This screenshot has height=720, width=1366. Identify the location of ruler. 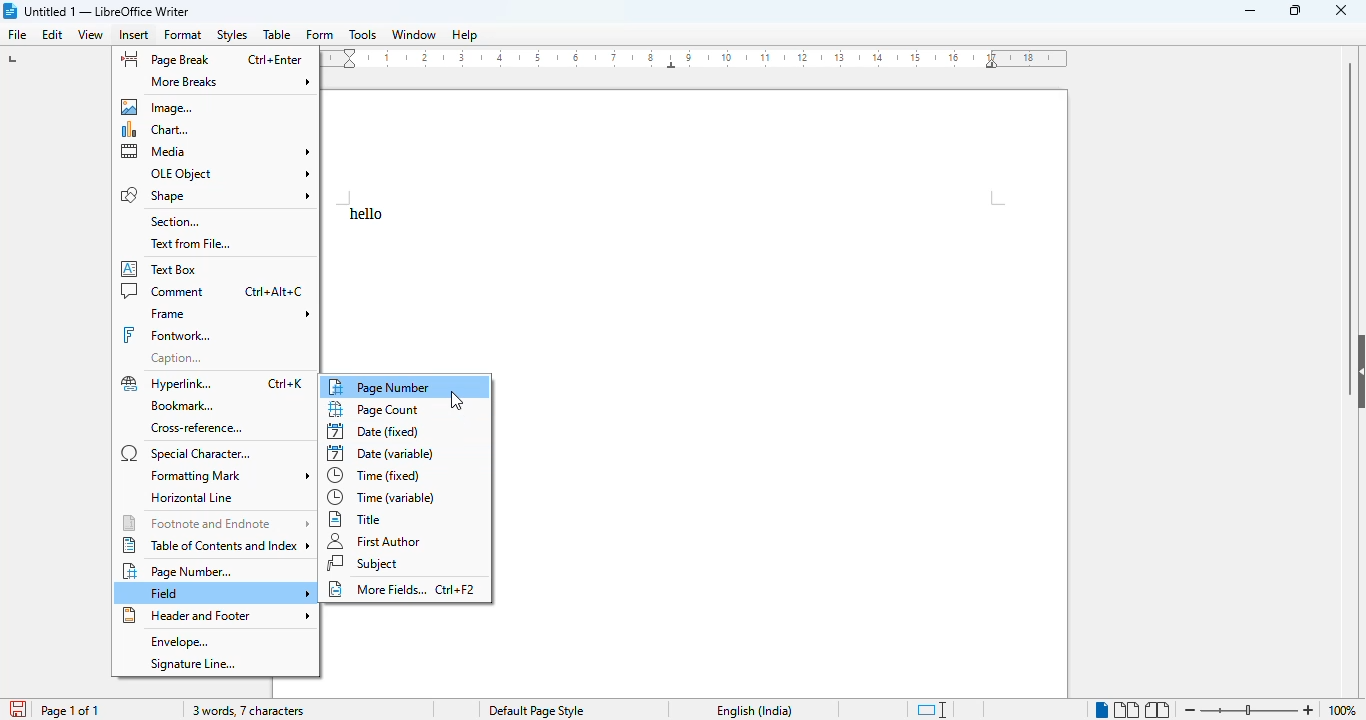
(696, 57).